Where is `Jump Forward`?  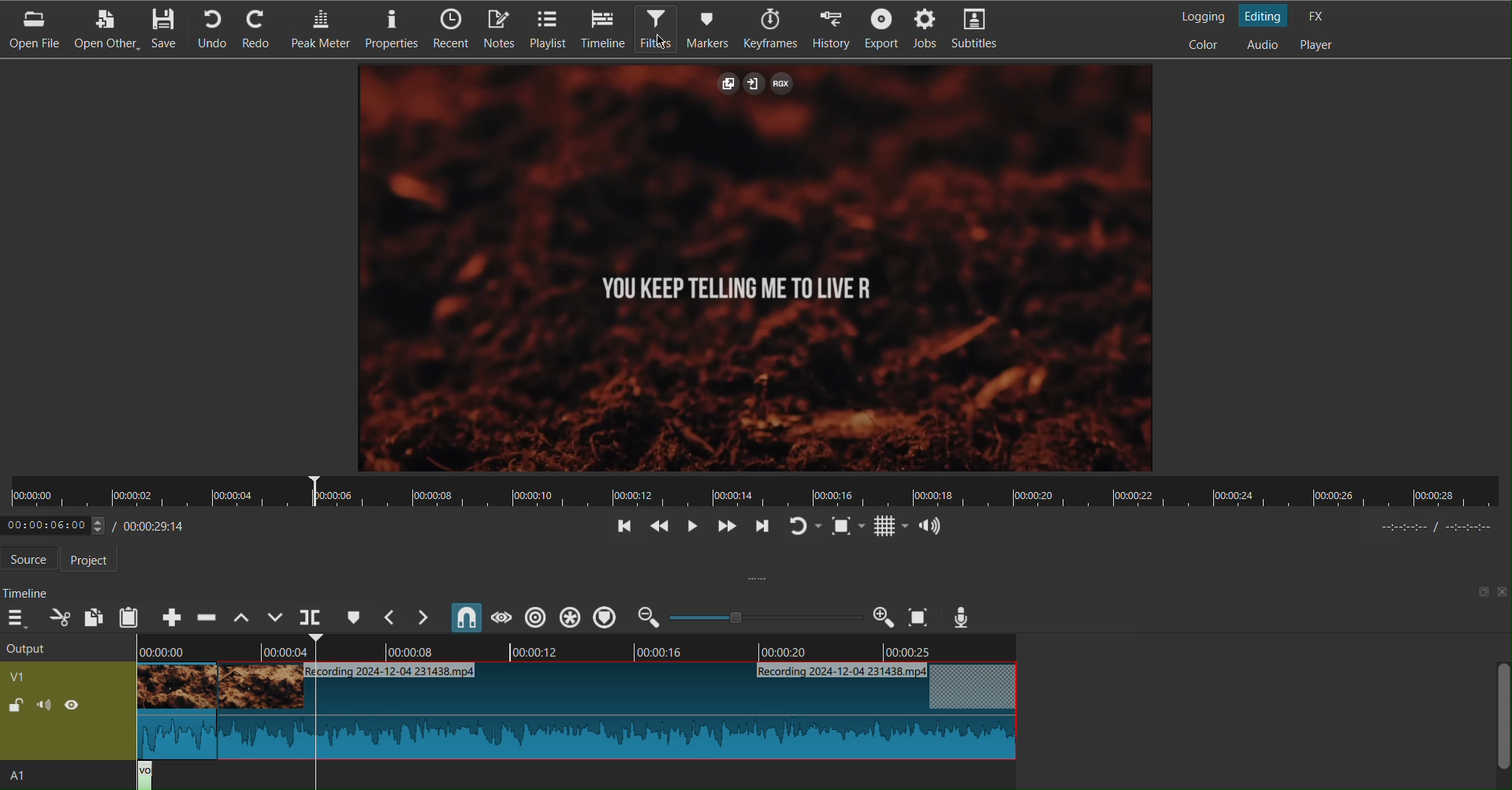 Jump Forward is located at coordinates (761, 528).